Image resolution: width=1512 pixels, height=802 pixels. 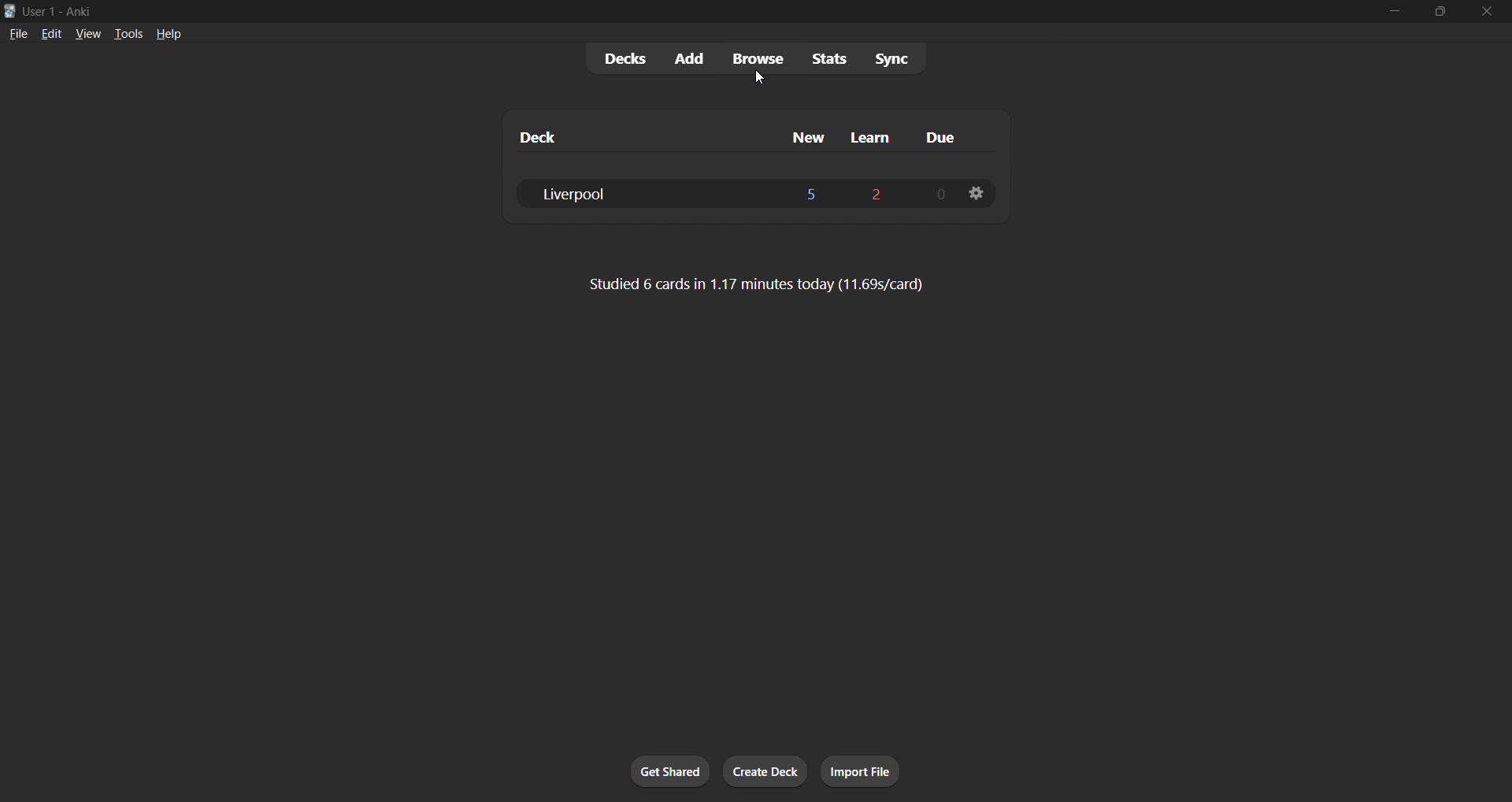 I want to click on learn cards, so click(x=873, y=135).